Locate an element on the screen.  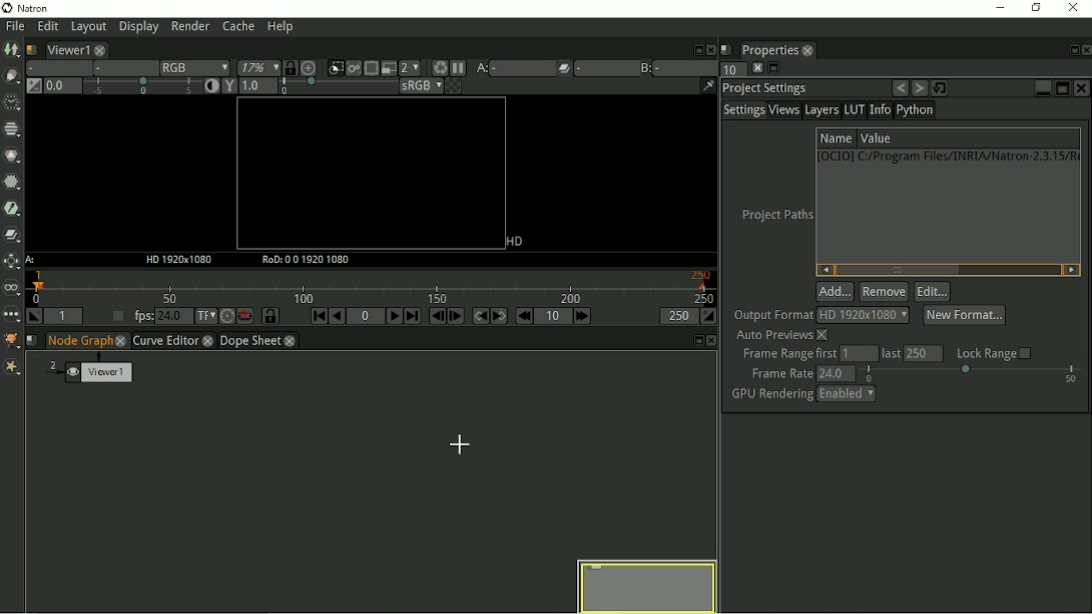
Redo is located at coordinates (919, 88).